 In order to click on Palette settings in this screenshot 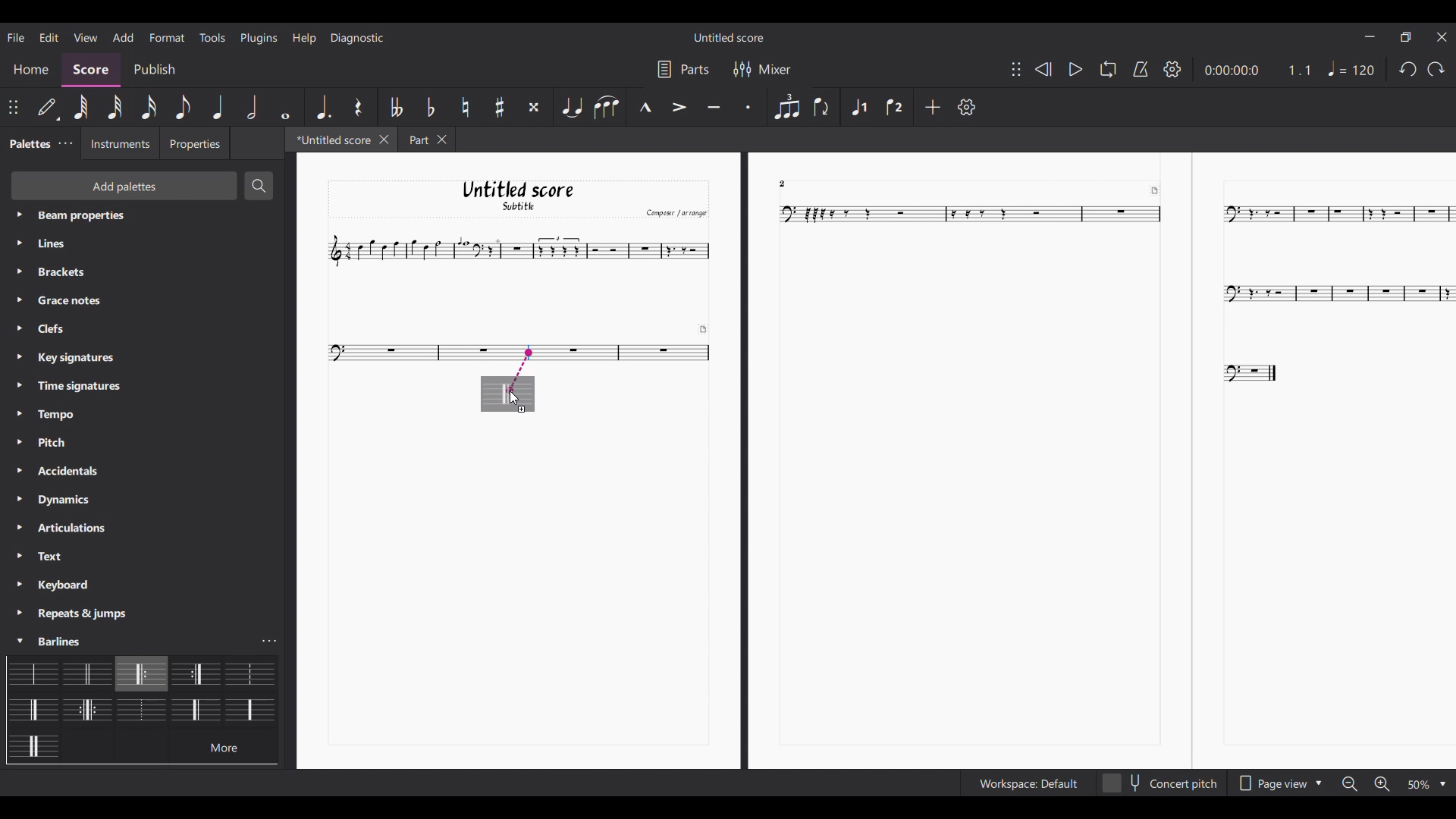, I will do `click(56, 414)`.